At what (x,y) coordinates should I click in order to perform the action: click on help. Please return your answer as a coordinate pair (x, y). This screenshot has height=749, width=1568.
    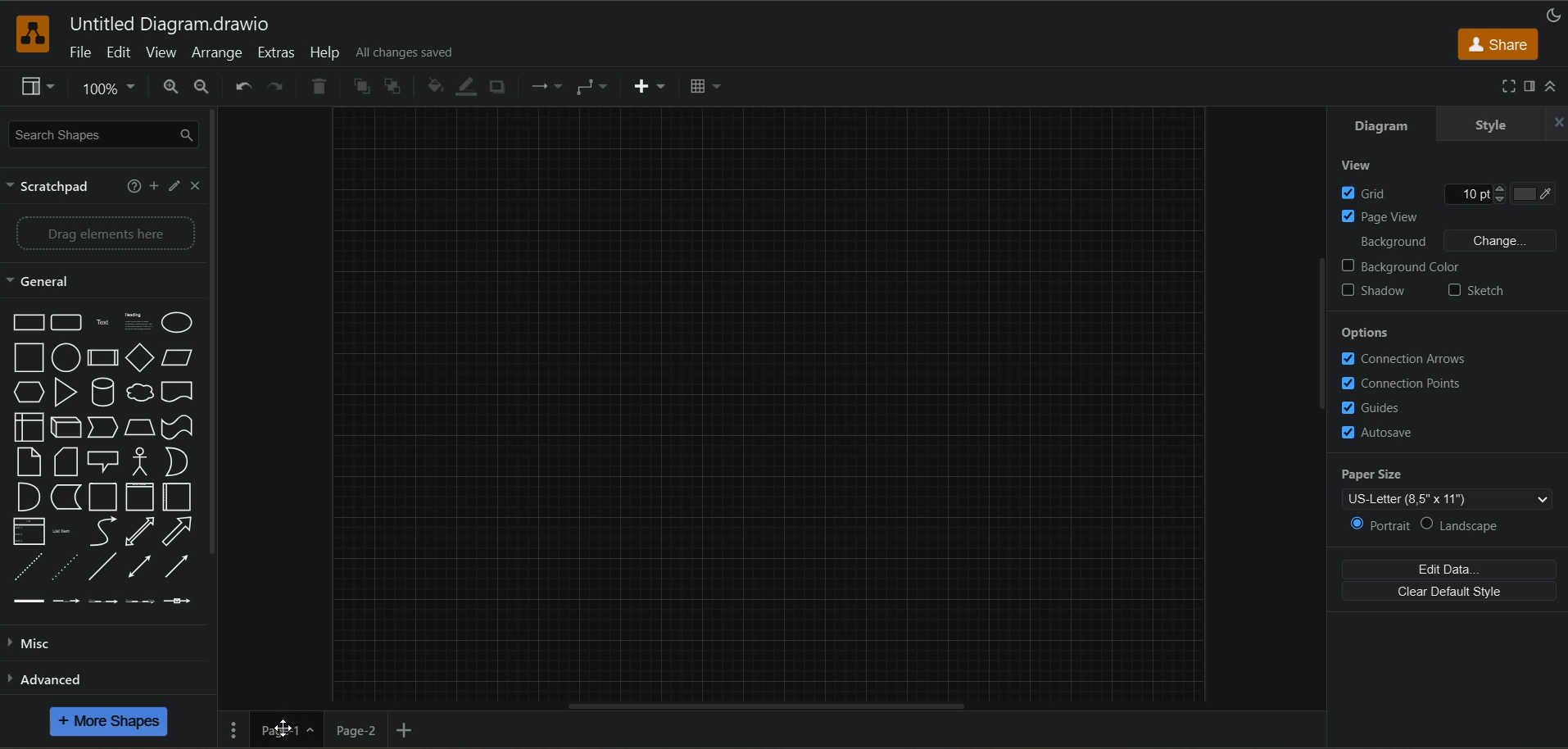
    Looking at the image, I should click on (324, 52).